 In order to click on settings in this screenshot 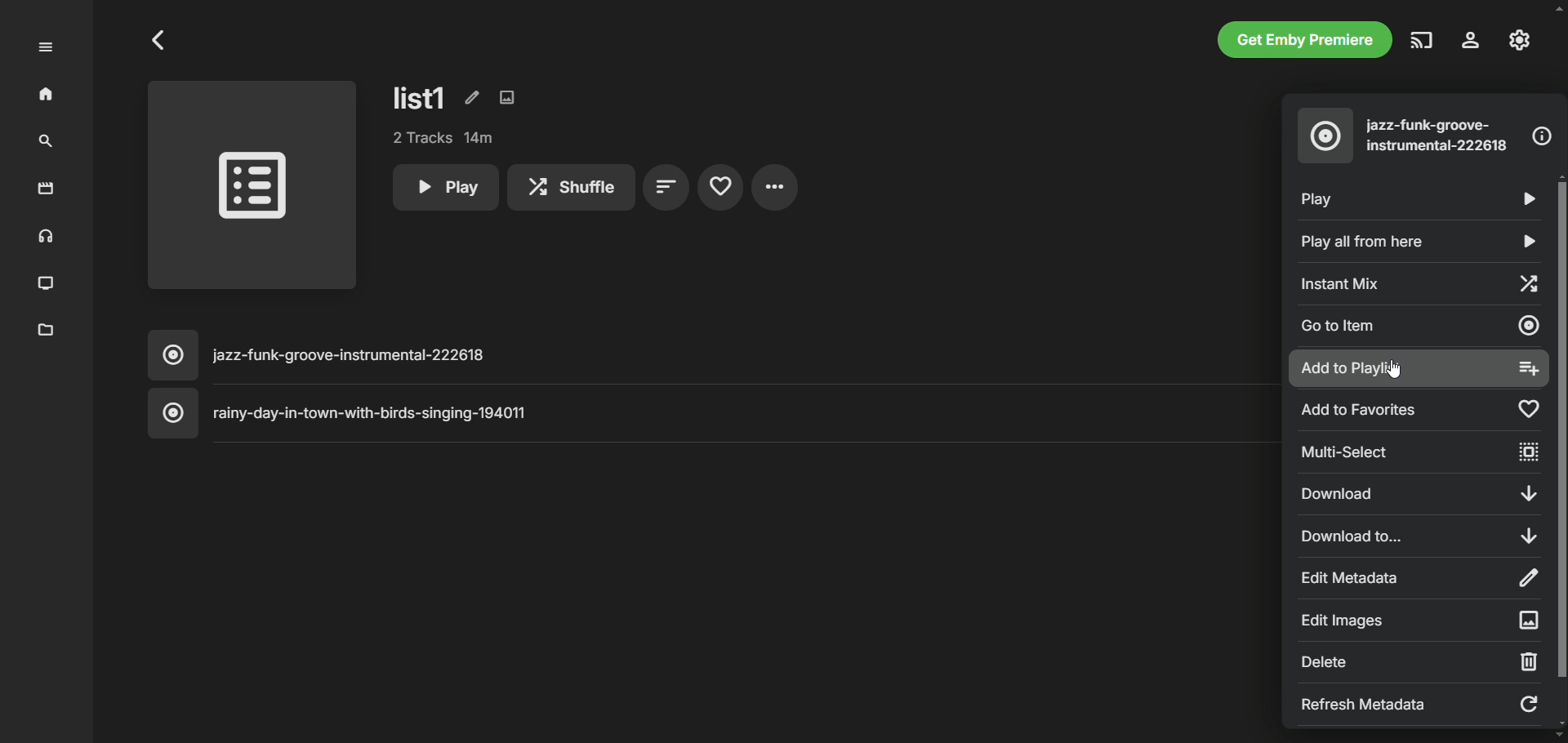, I will do `click(775, 187)`.